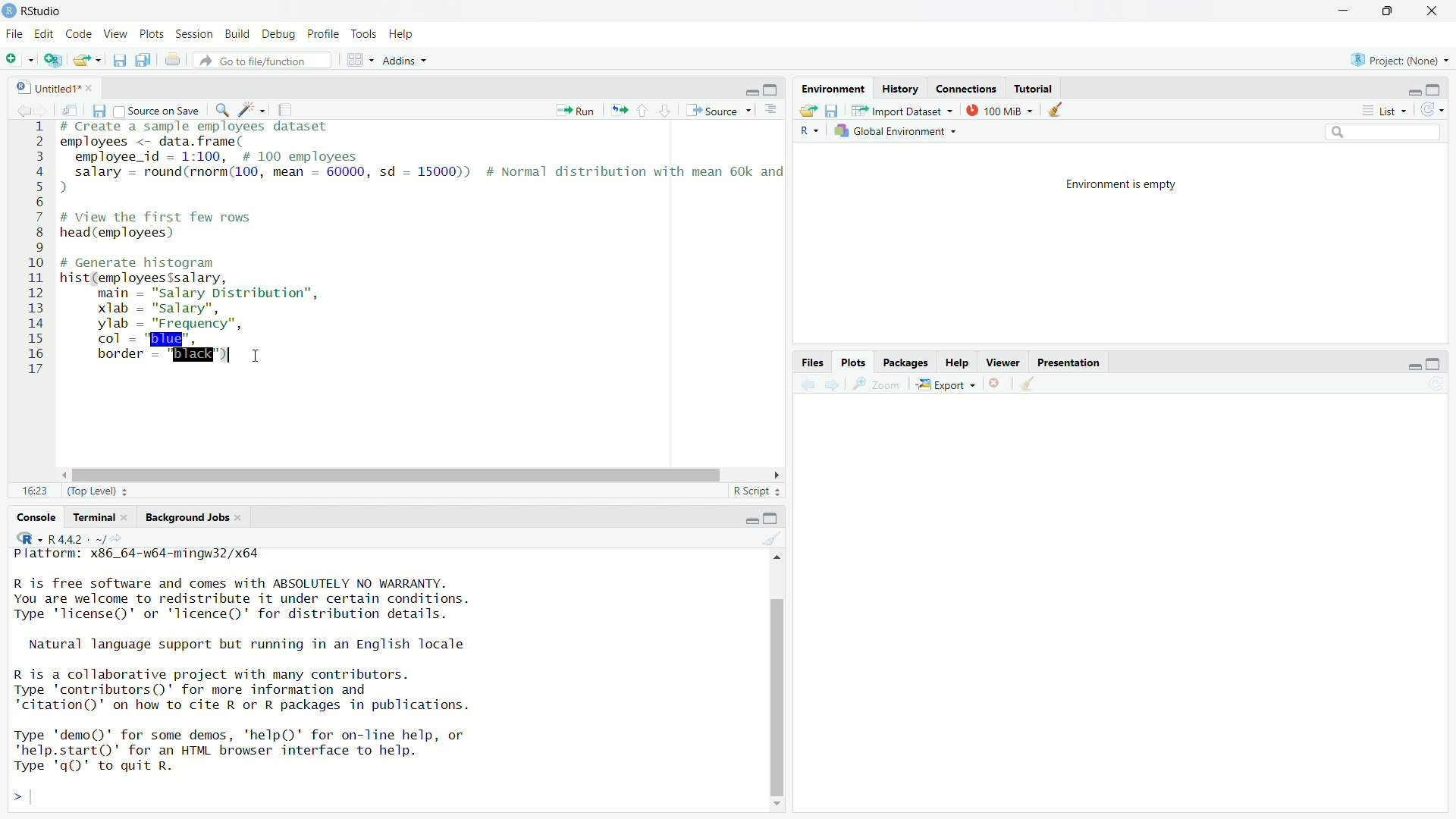 This screenshot has width=1456, height=819. What do you see at coordinates (362, 60) in the screenshot?
I see `grid` at bounding box center [362, 60].